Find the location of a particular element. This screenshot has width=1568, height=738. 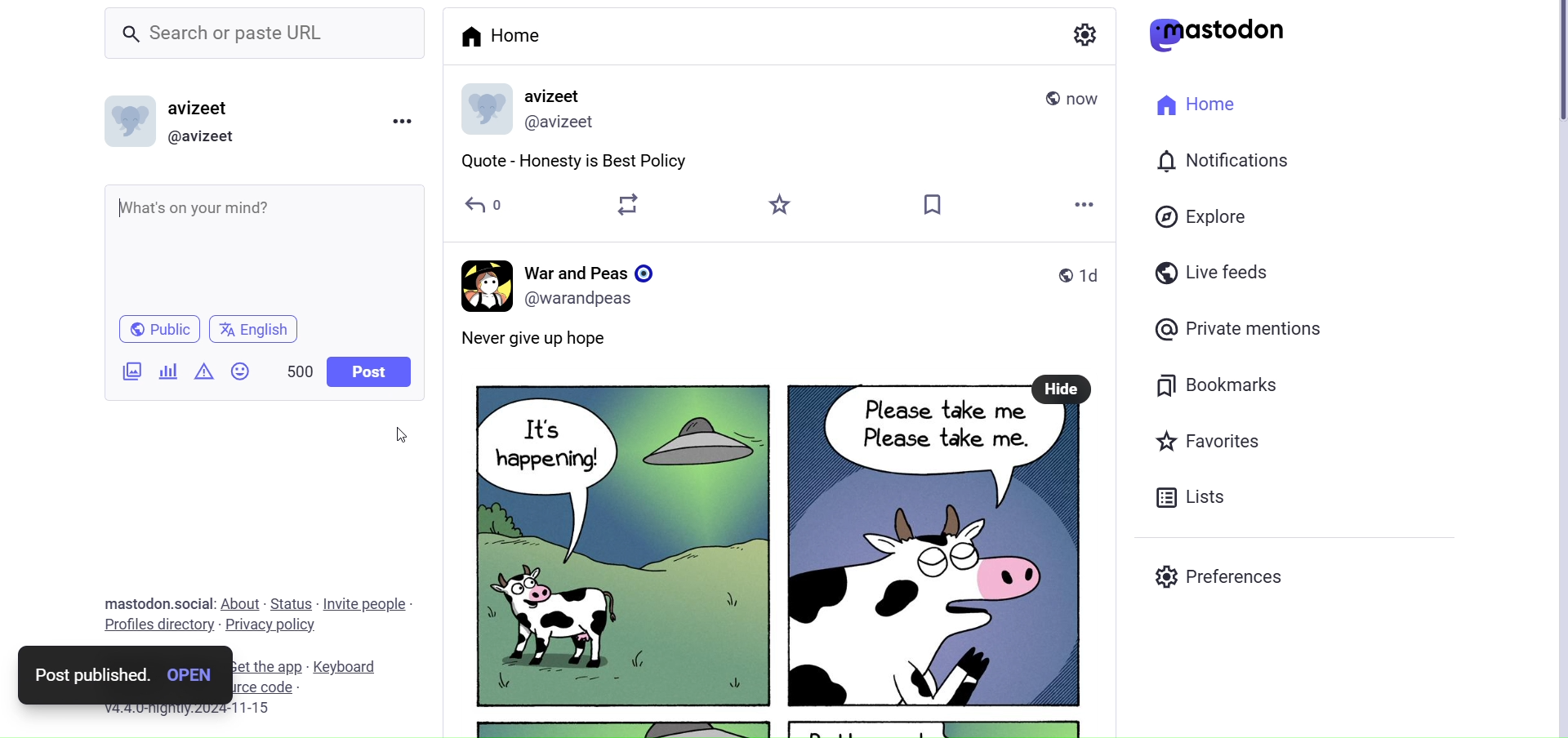

Status is located at coordinates (292, 602).